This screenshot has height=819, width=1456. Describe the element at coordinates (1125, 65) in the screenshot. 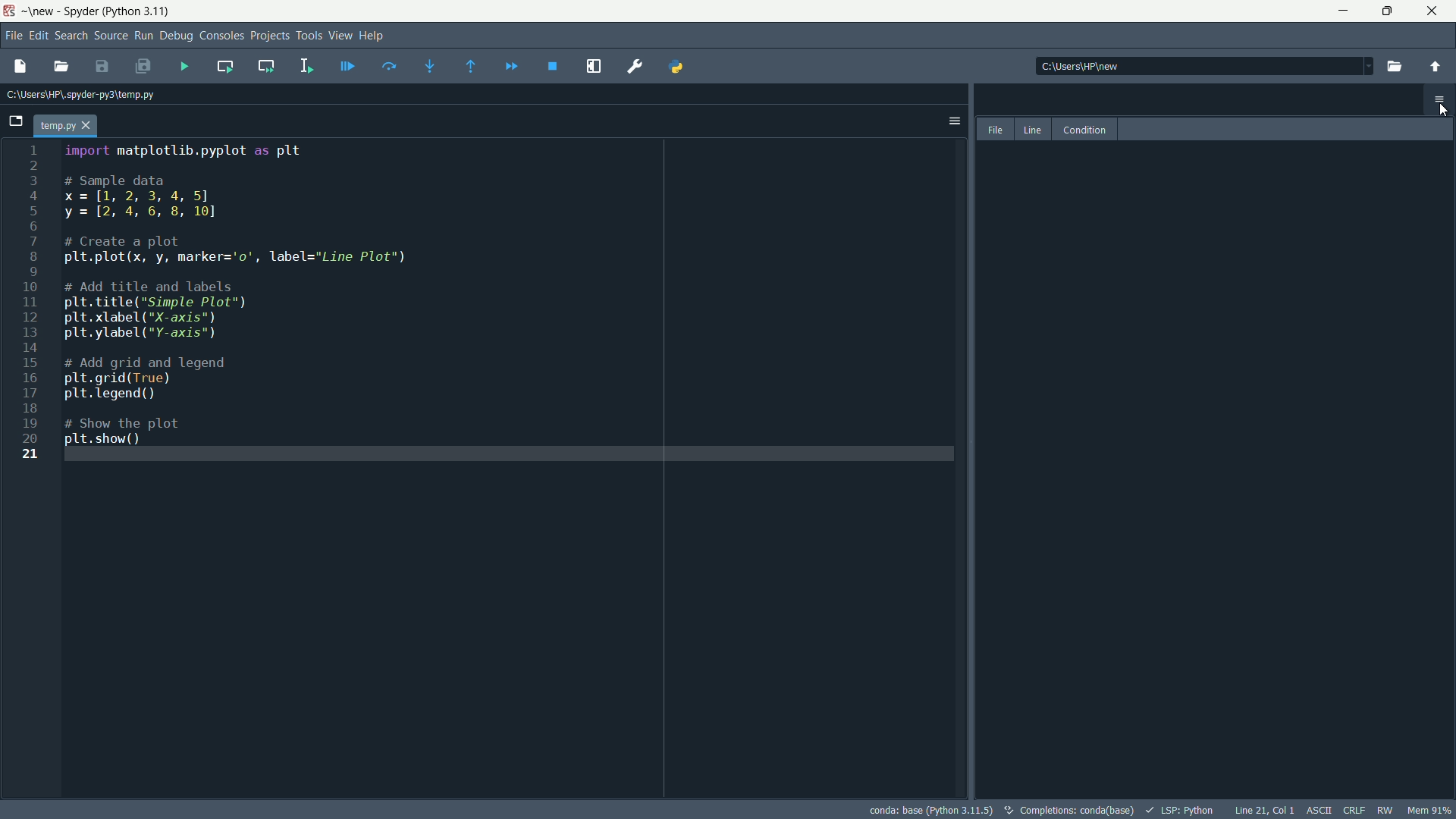

I see `| C:\Users\HP\new` at that location.